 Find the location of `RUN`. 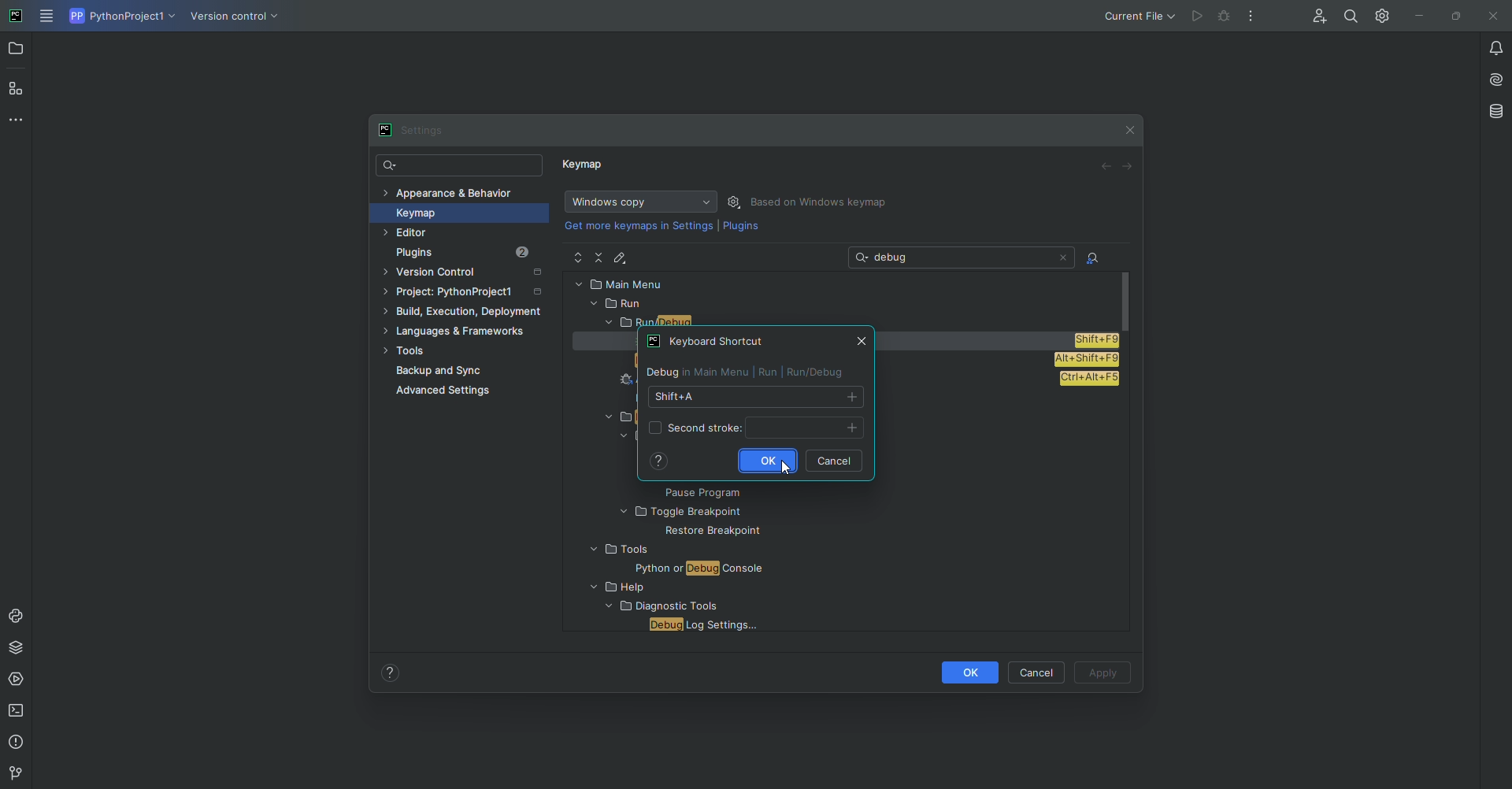

RUN is located at coordinates (840, 304).